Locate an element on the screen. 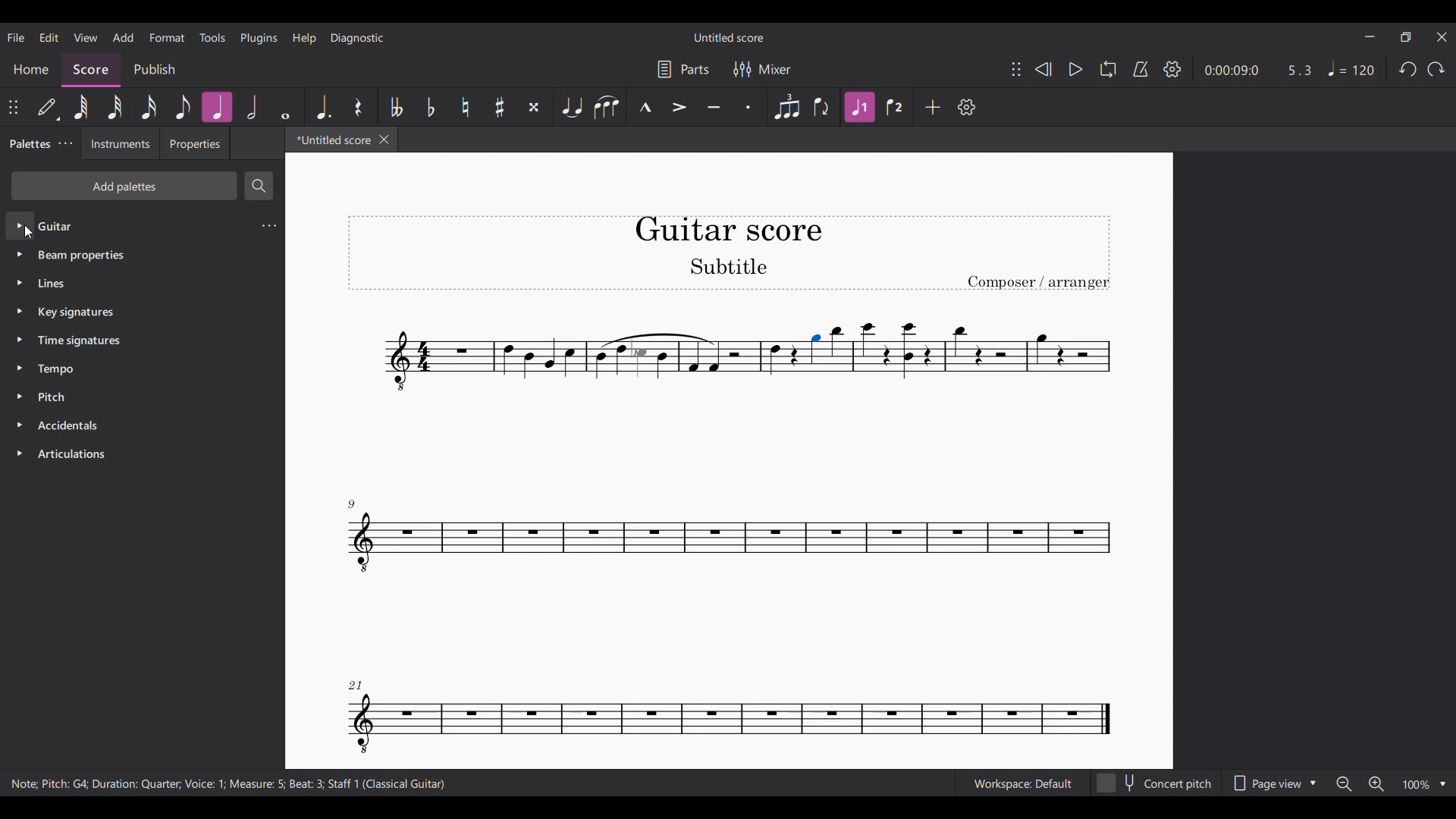 Image resolution: width=1456 pixels, height=819 pixels. Cursor is located at coordinates (29, 232).